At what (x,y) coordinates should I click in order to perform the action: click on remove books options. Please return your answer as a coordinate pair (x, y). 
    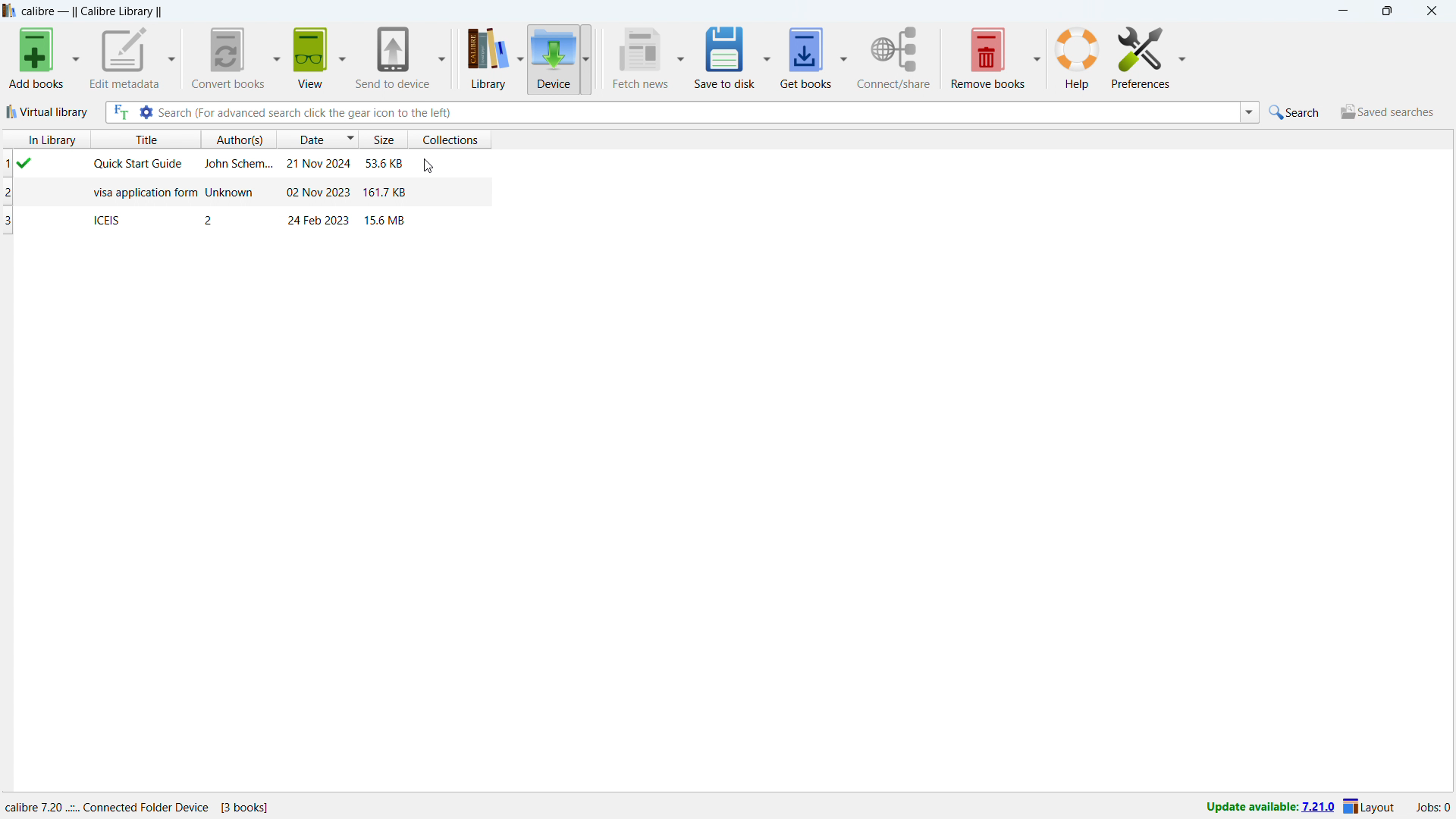
    Looking at the image, I should click on (1037, 55).